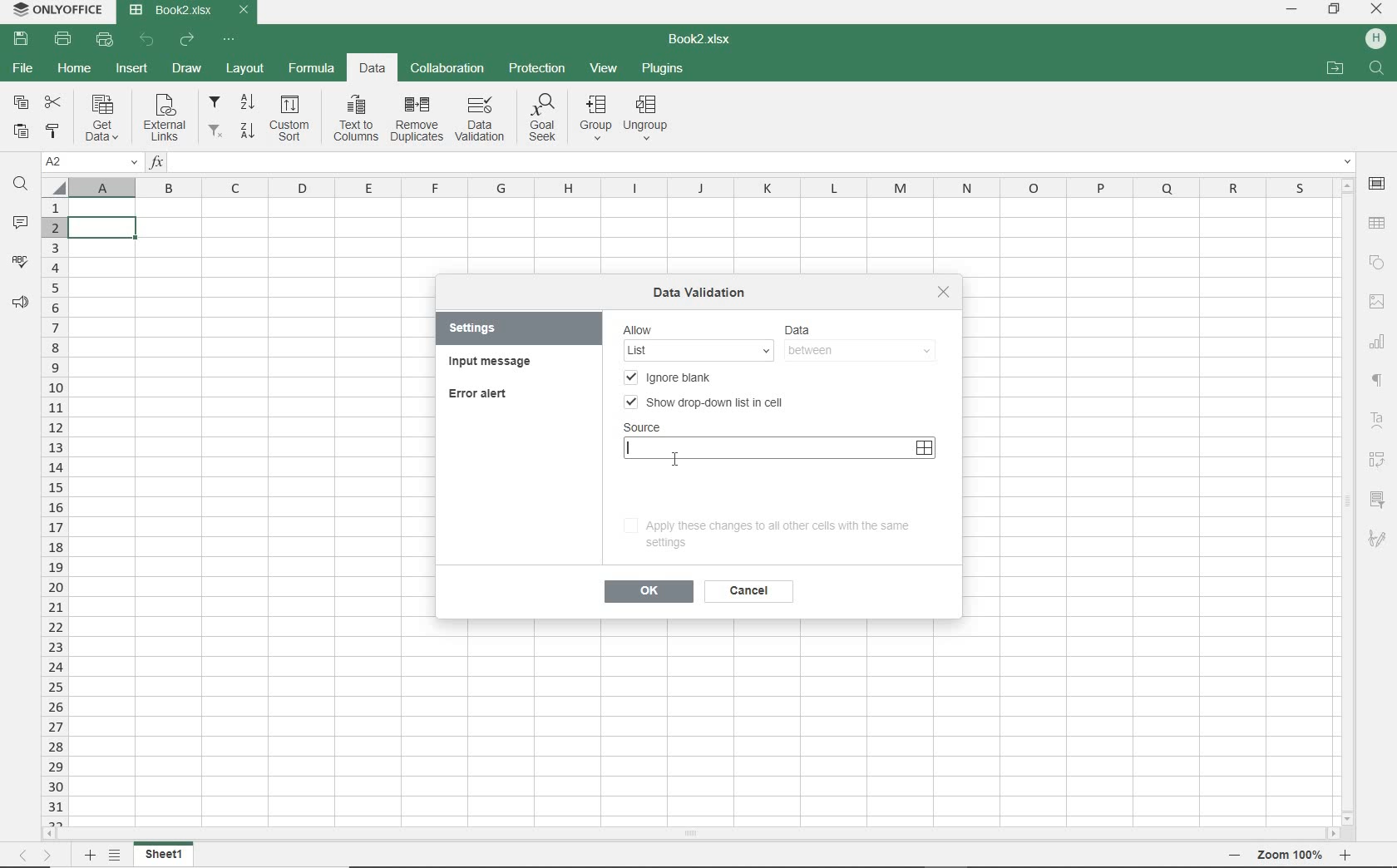 The width and height of the screenshot is (1397, 868). What do you see at coordinates (1378, 70) in the screenshot?
I see `FIND` at bounding box center [1378, 70].